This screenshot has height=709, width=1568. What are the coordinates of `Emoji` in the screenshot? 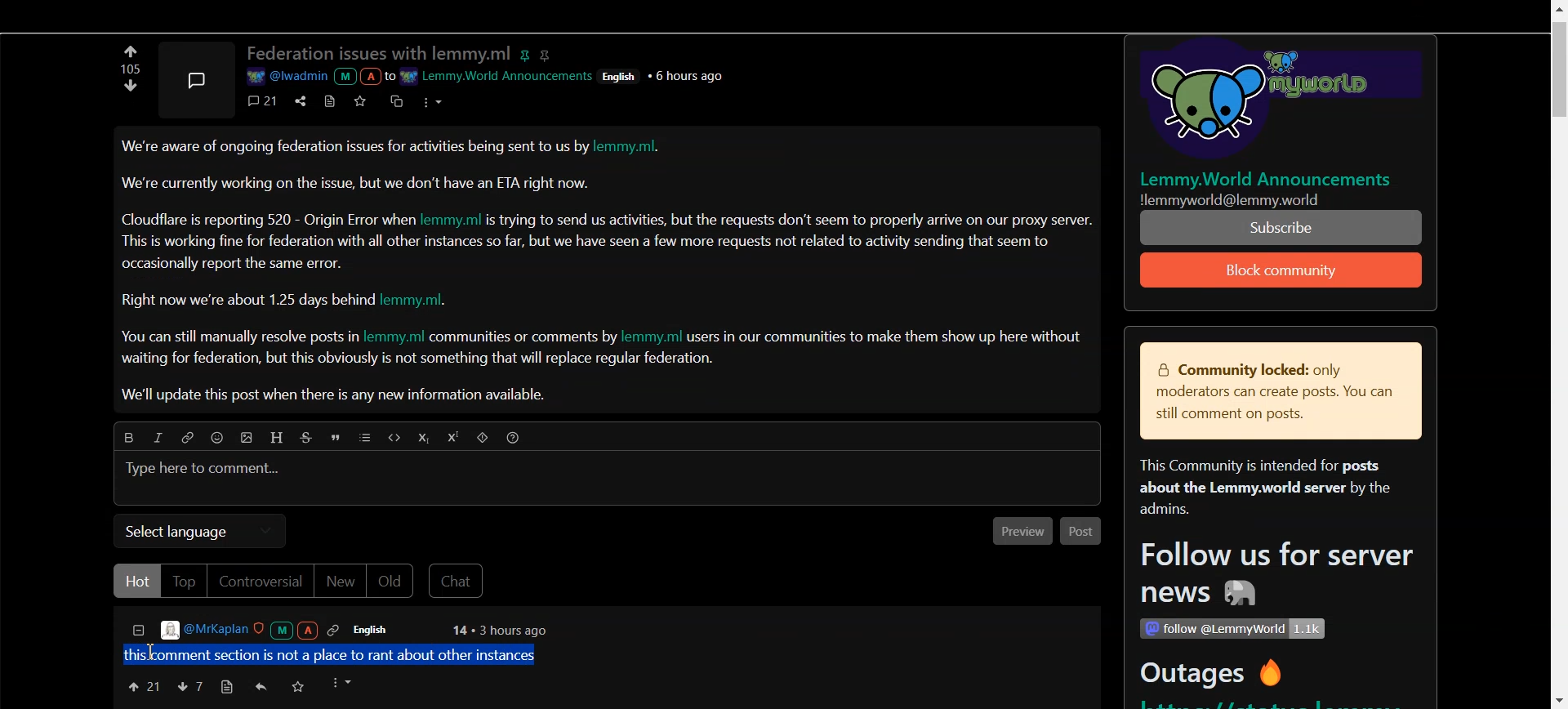 It's located at (221, 439).